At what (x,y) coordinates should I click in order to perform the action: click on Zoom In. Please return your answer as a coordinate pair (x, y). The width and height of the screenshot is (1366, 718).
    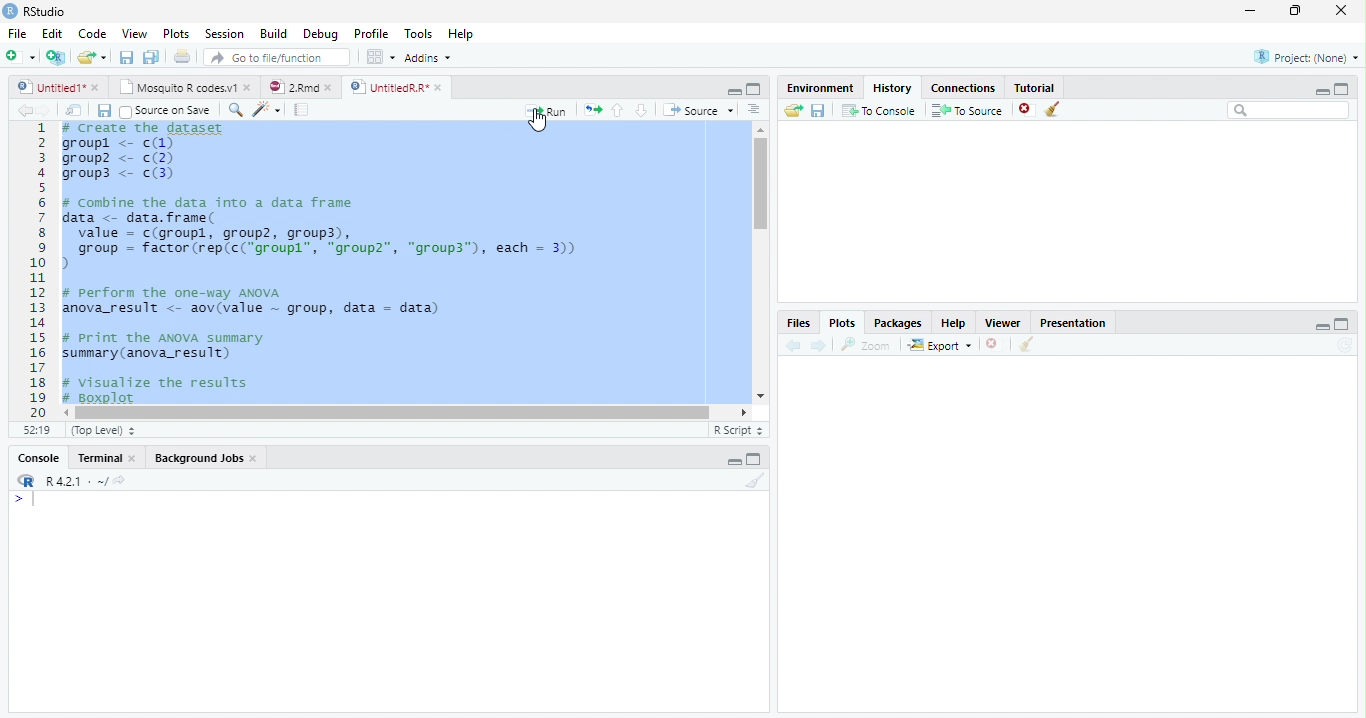
    Looking at the image, I should click on (234, 111).